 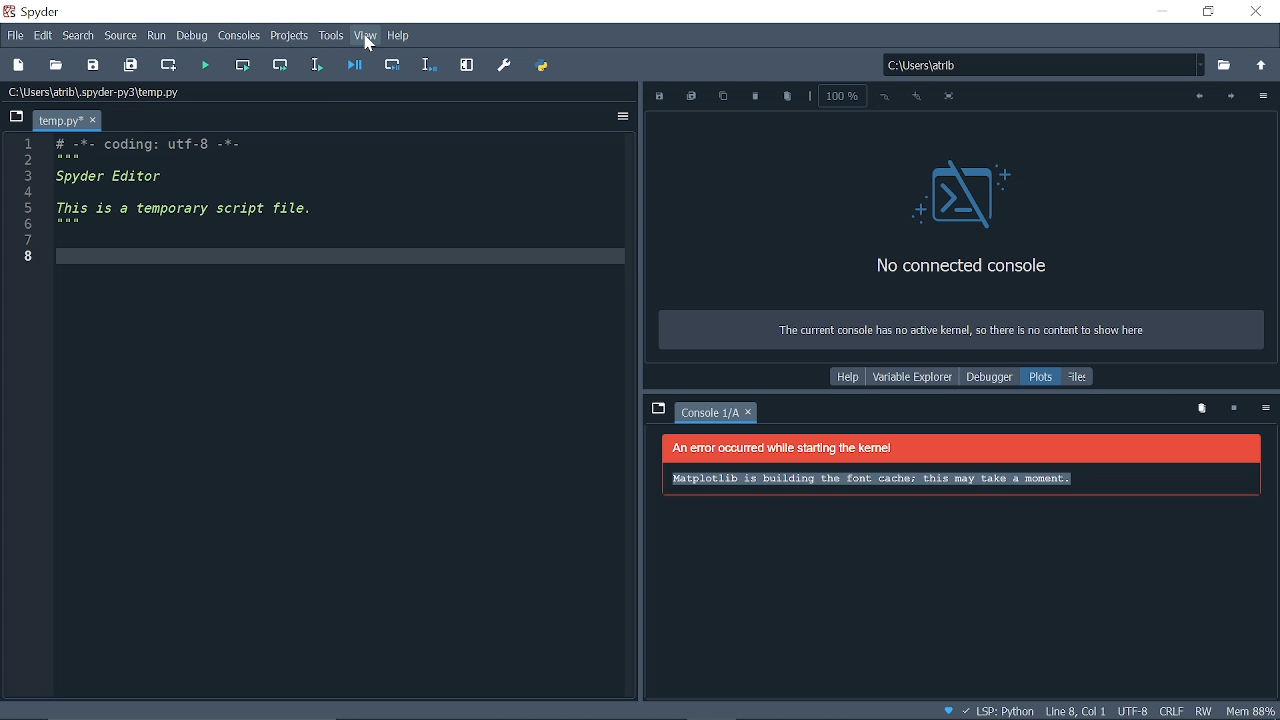 What do you see at coordinates (1209, 12) in the screenshot?
I see `Restore down` at bounding box center [1209, 12].